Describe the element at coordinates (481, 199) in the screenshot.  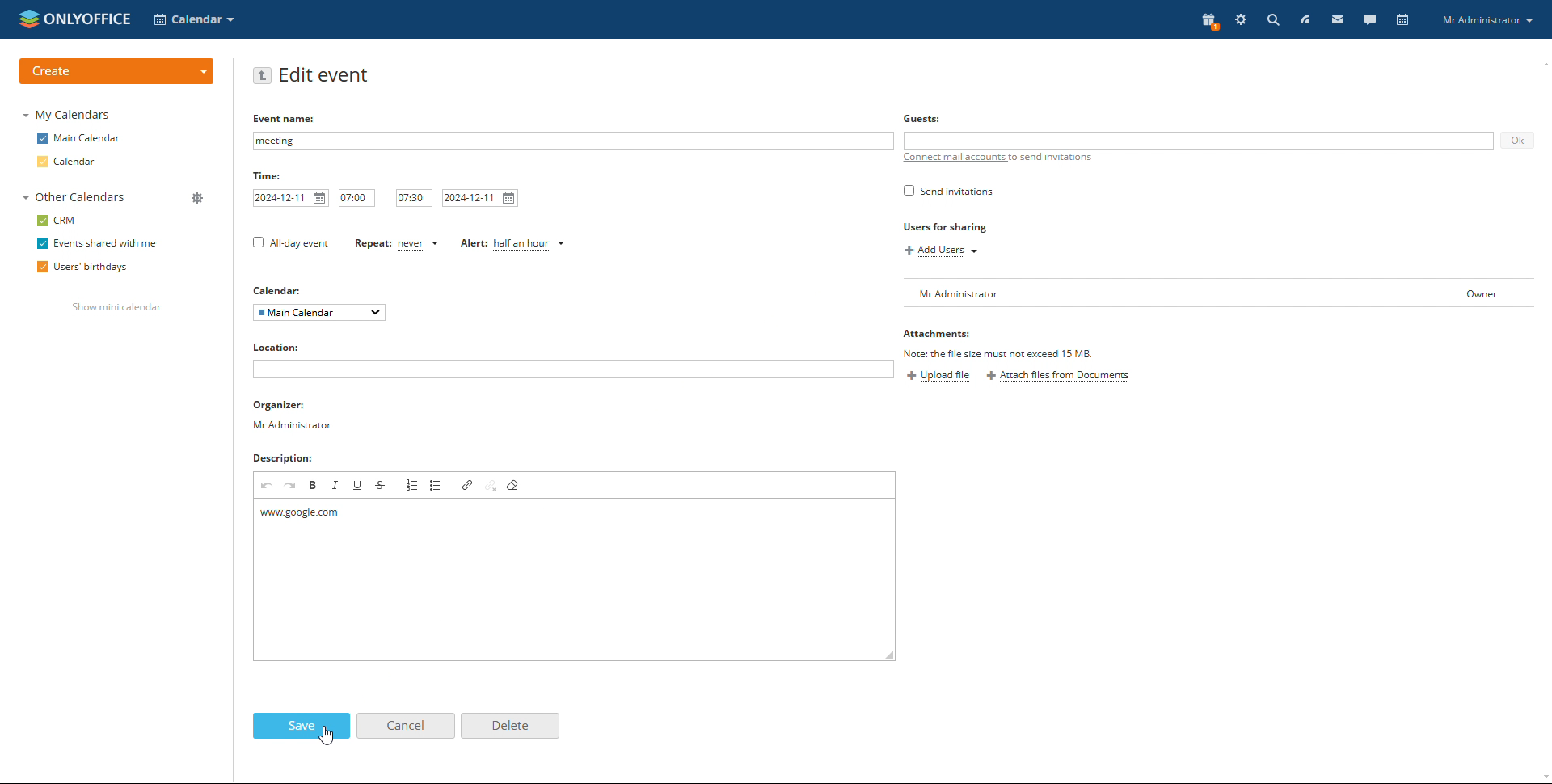
I see `end date` at that location.